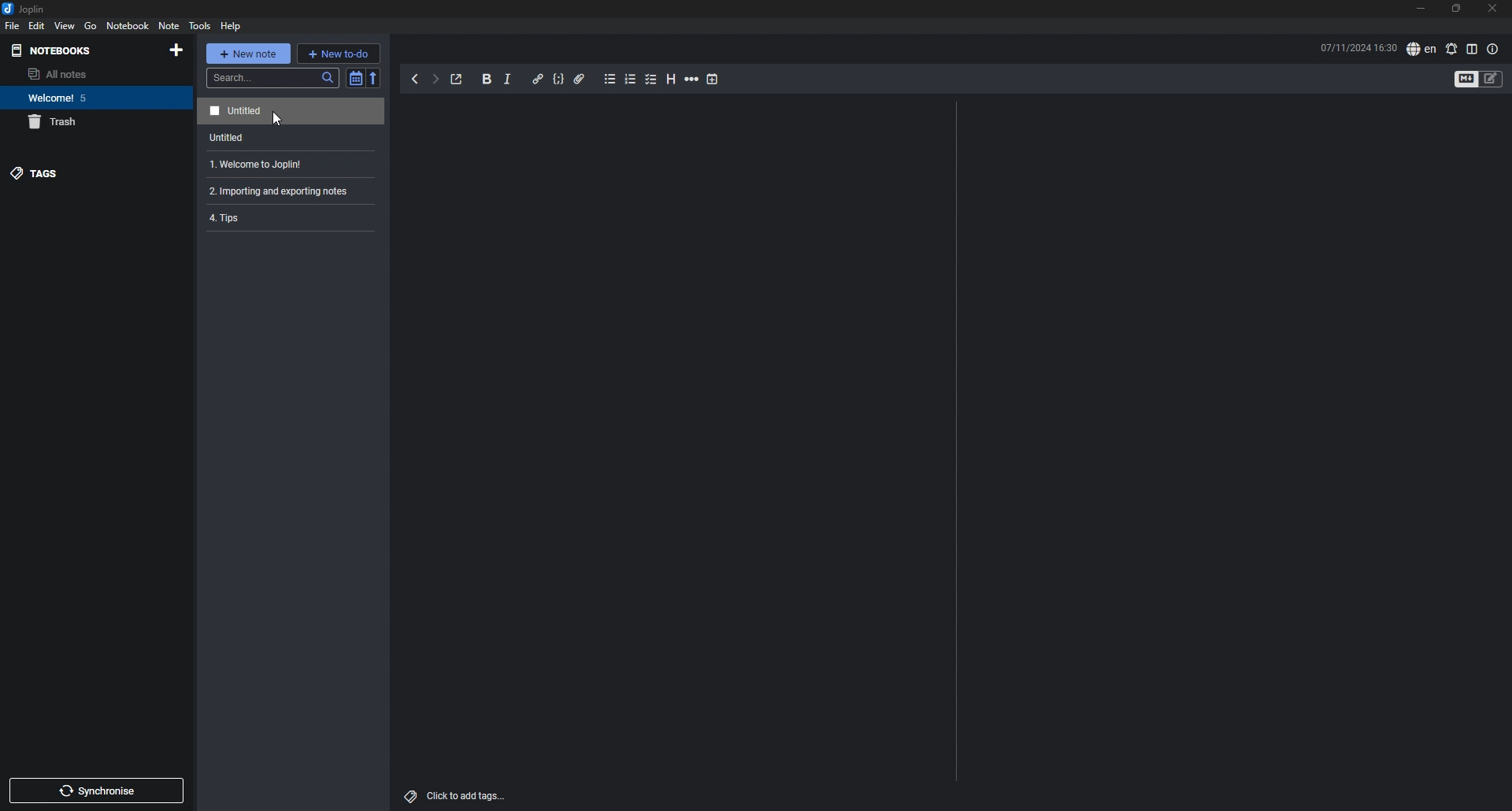 The height and width of the screenshot is (811, 1512). Describe the element at coordinates (65, 26) in the screenshot. I see `view` at that location.